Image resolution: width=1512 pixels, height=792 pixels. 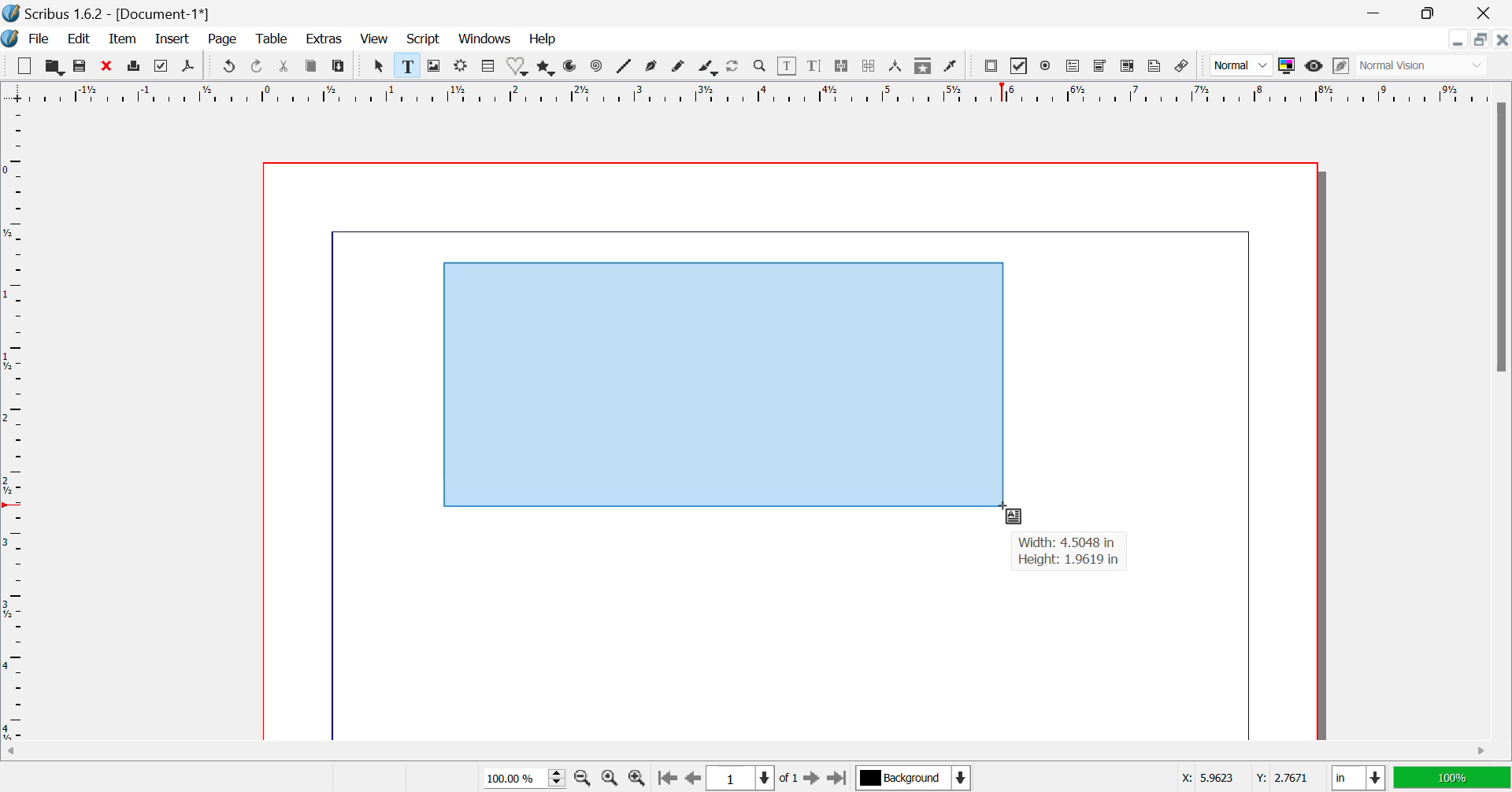 I want to click on Windows, so click(x=485, y=39).